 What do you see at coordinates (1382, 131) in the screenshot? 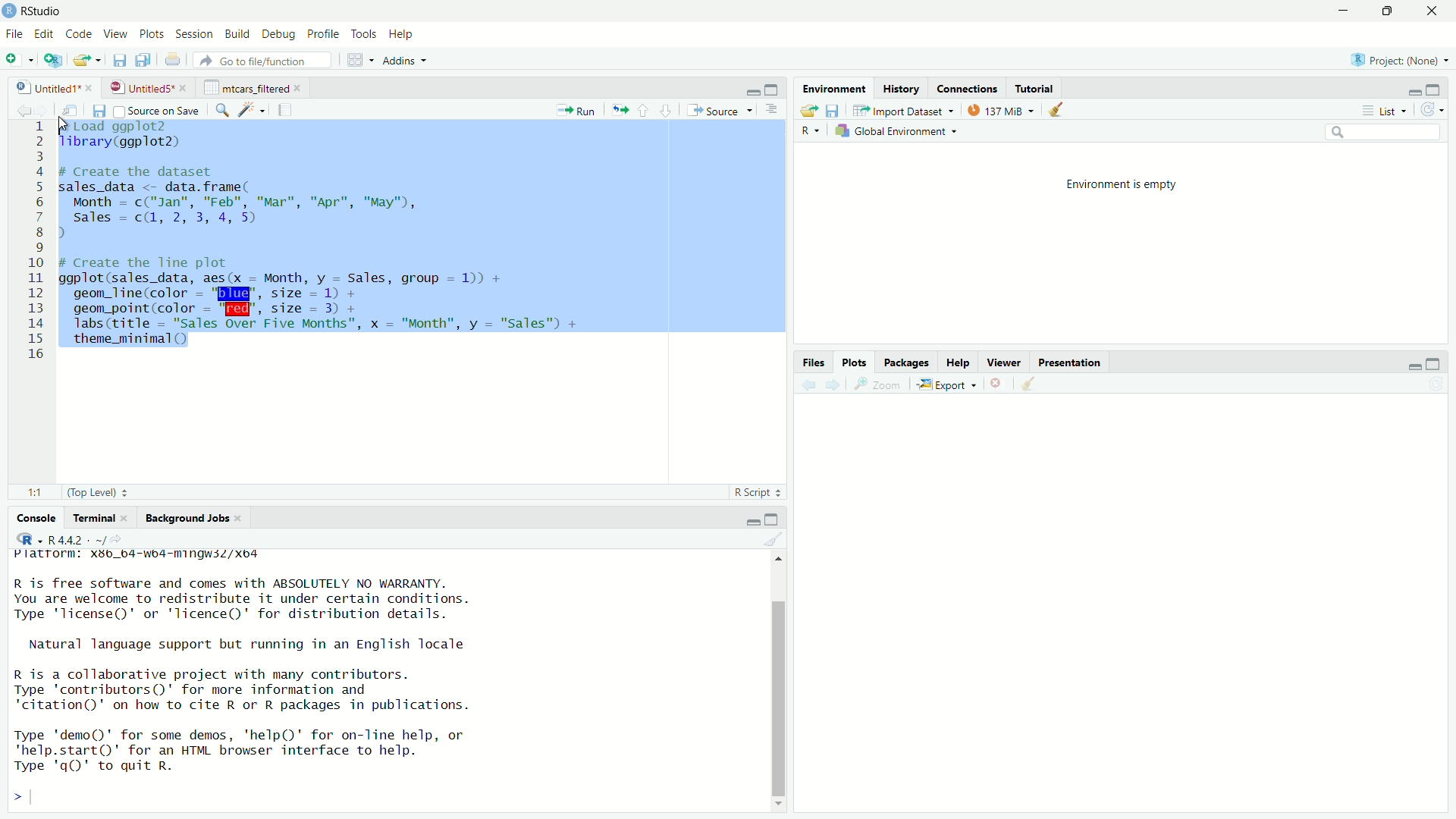
I see `search bar` at bounding box center [1382, 131].